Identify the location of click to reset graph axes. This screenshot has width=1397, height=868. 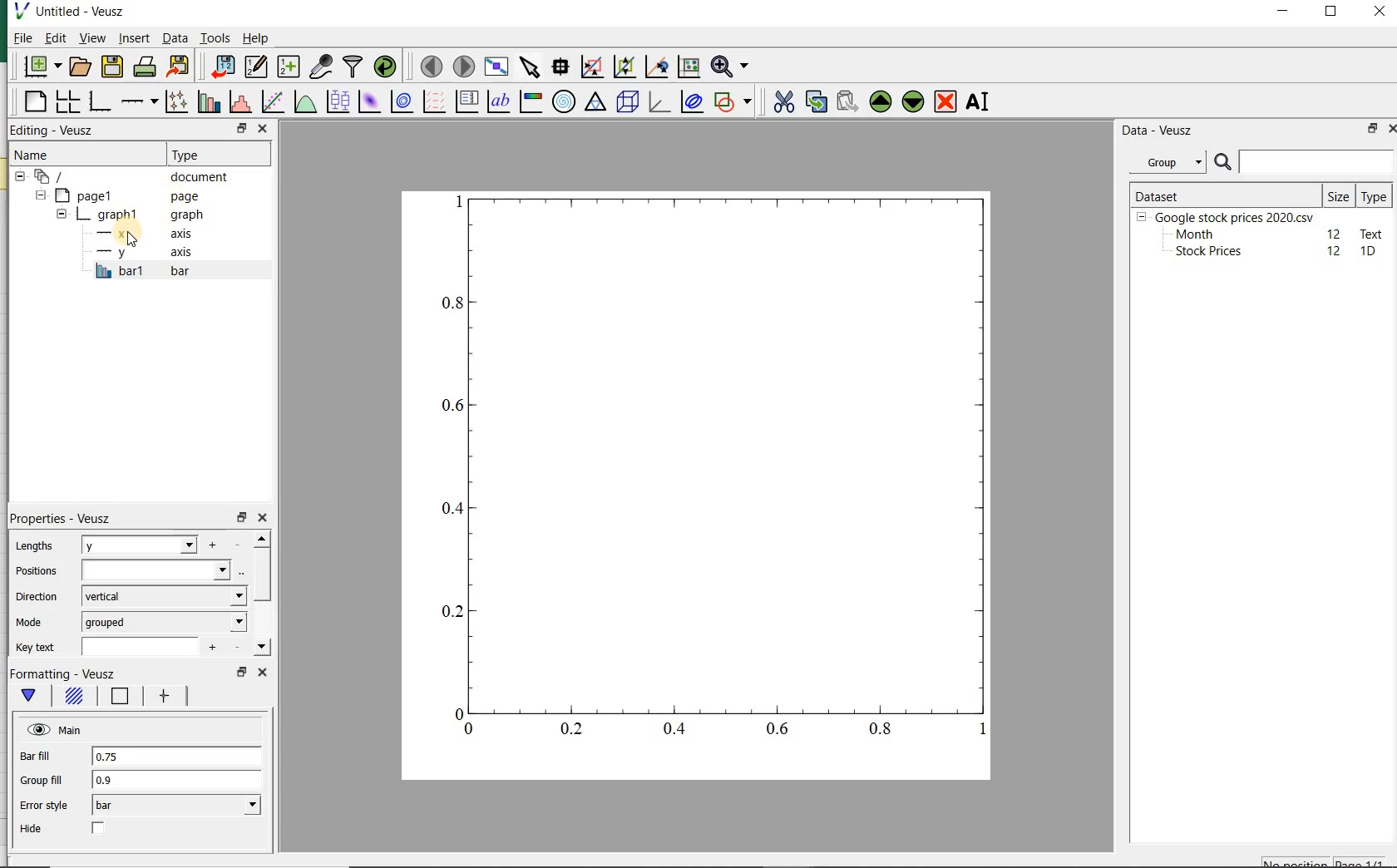
(687, 67).